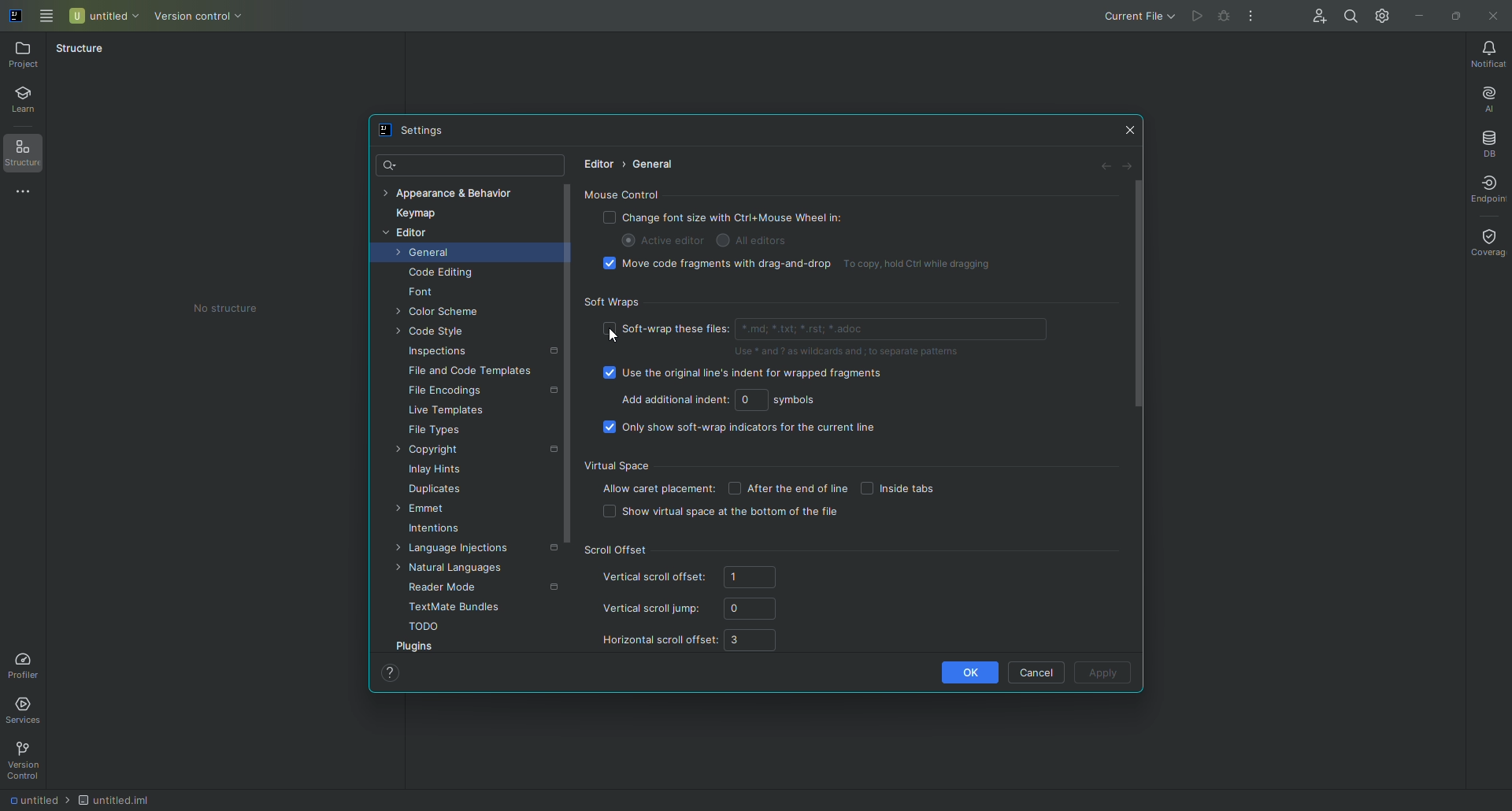  What do you see at coordinates (1106, 672) in the screenshot?
I see `Apply` at bounding box center [1106, 672].